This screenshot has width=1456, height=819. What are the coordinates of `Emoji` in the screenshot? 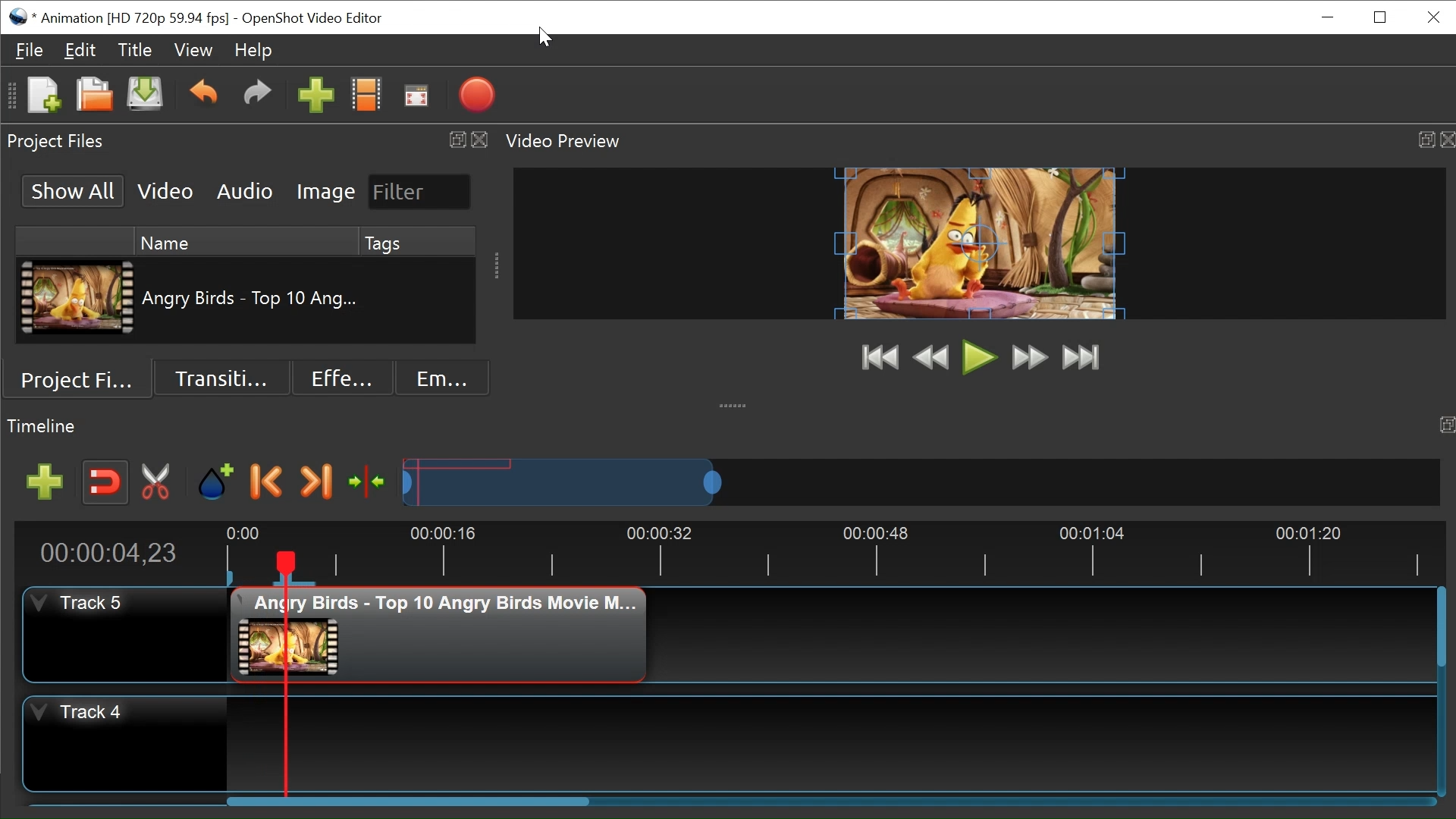 It's located at (443, 378).